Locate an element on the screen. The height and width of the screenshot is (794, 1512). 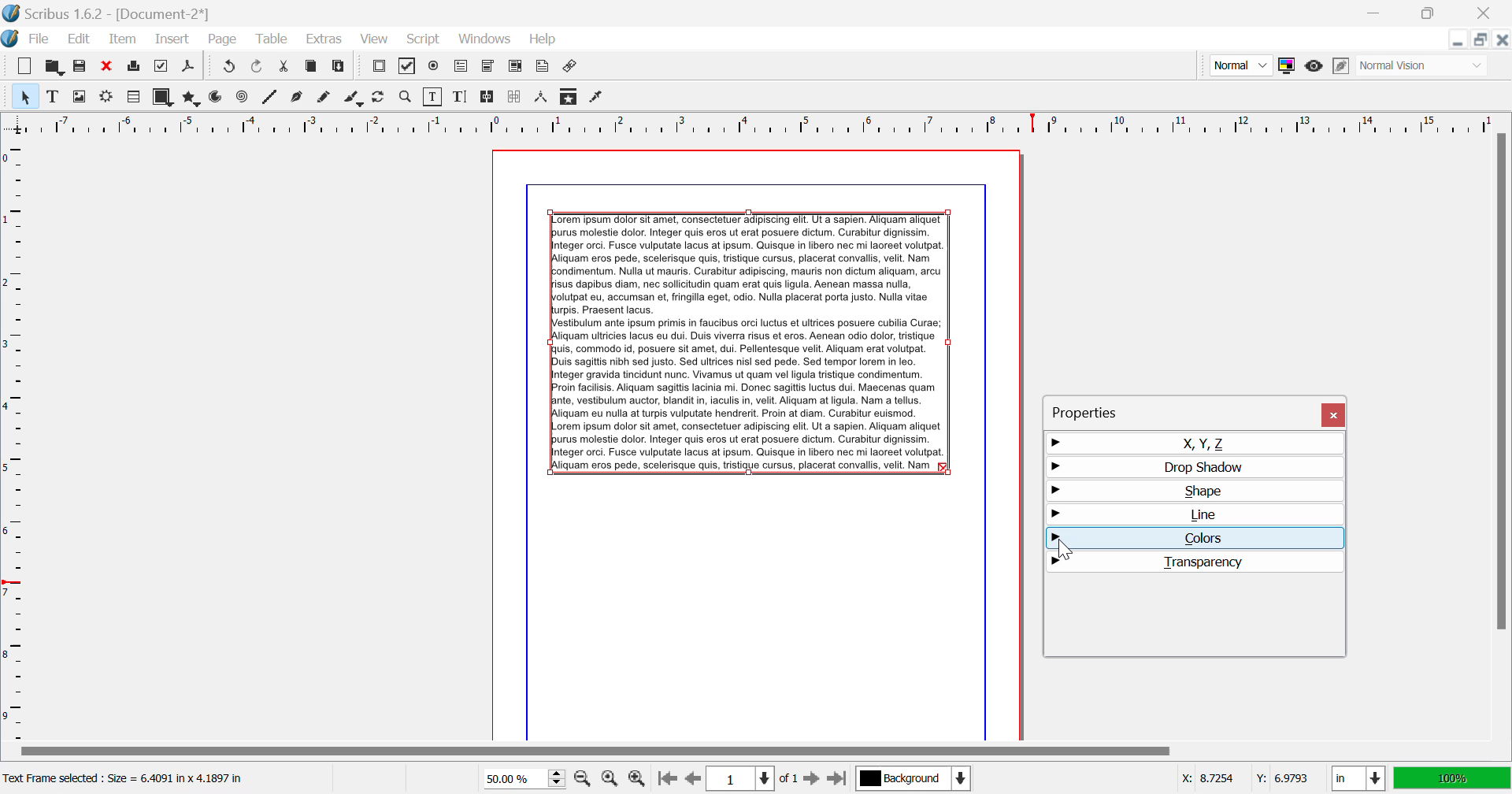
Toggle Color Management is located at coordinates (1286, 65).